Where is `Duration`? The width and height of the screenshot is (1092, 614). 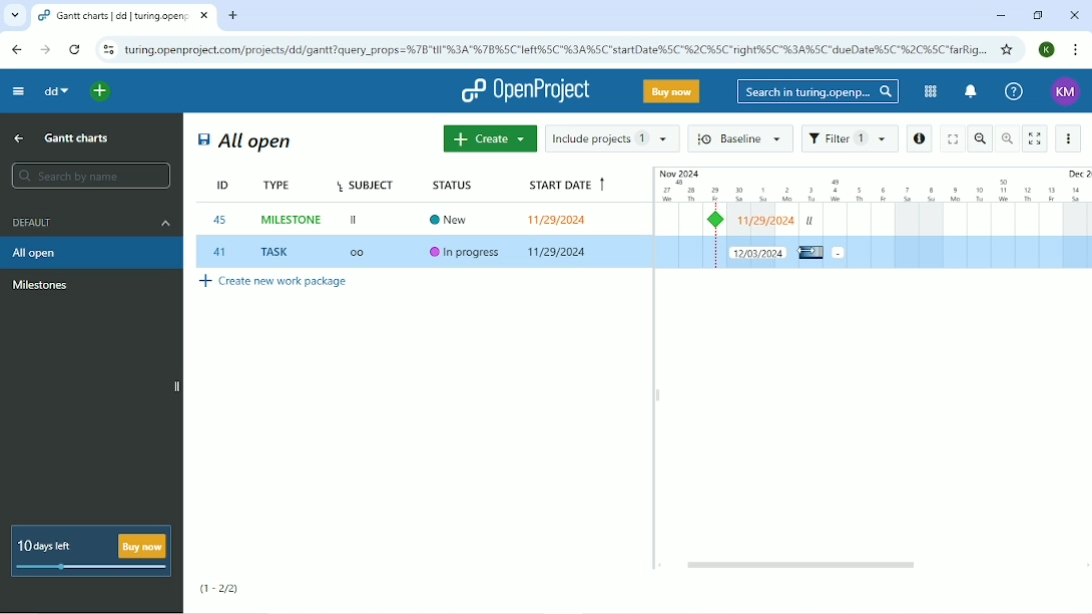
Duration is located at coordinates (872, 184).